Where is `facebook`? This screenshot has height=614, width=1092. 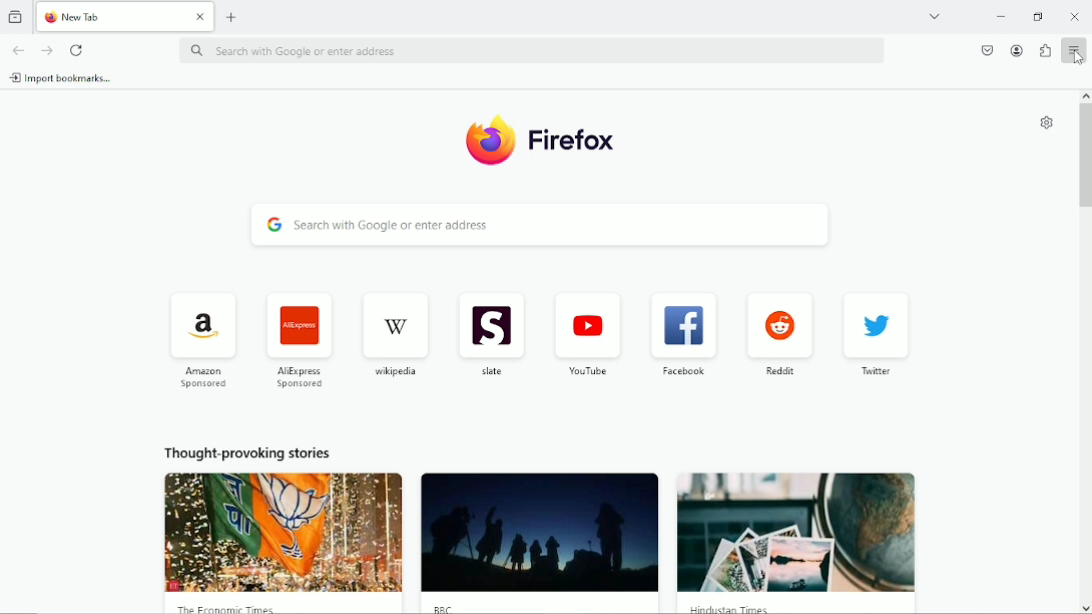 facebook is located at coordinates (681, 321).